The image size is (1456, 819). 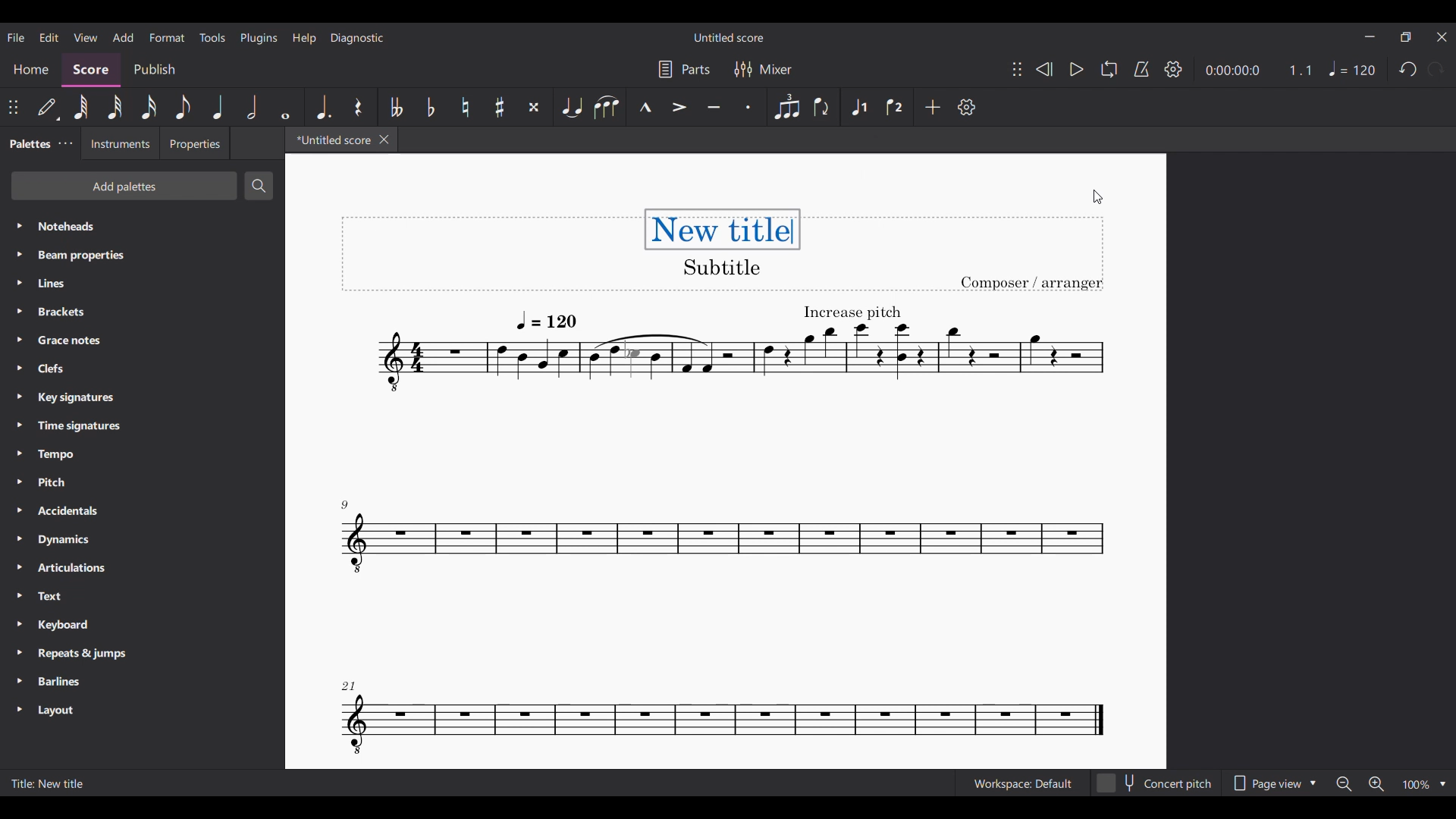 I want to click on Plugins meu, so click(x=259, y=38).